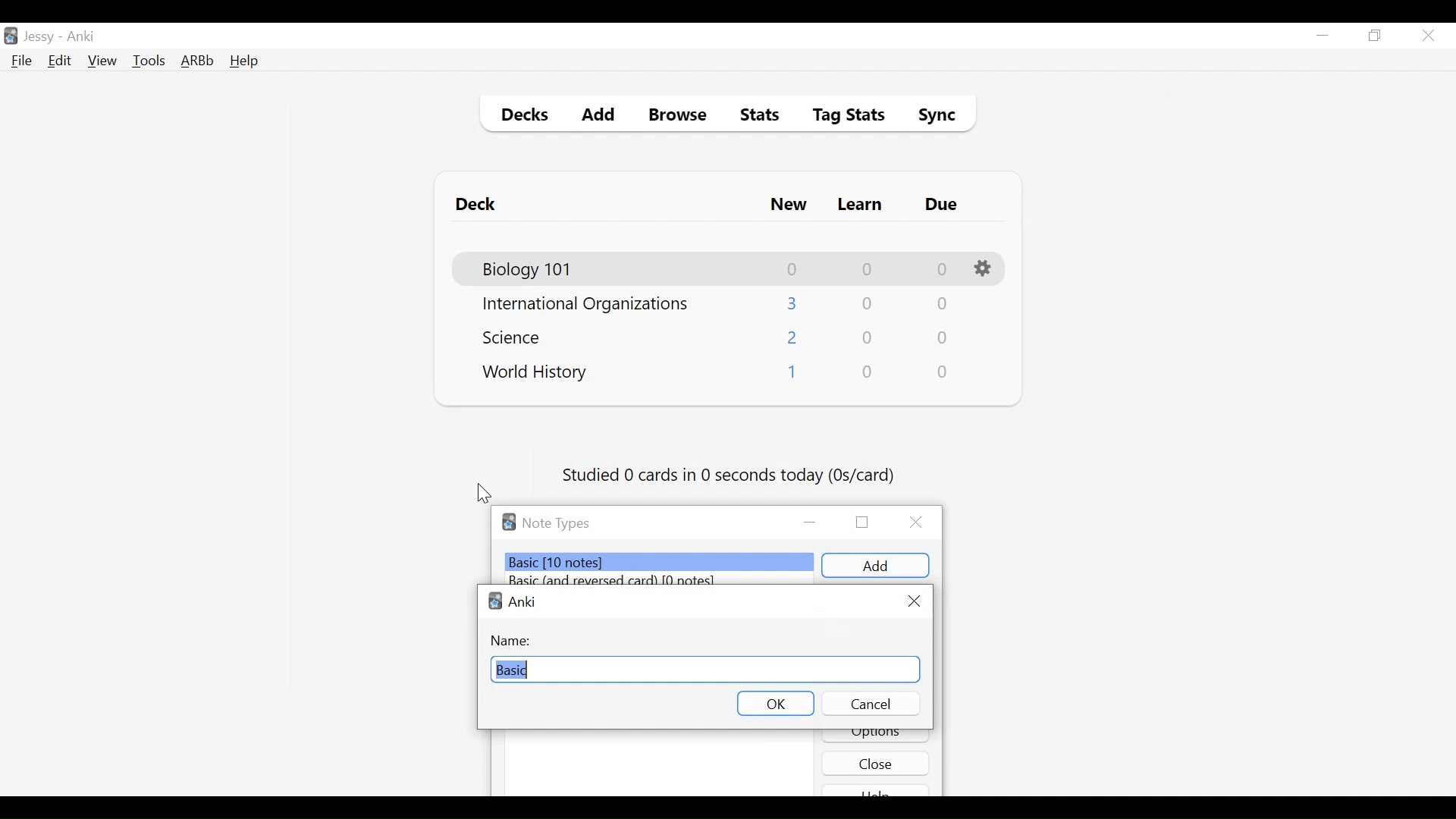 The height and width of the screenshot is (819, 1456). What do you see at coordinates (866, 269) in the screenshot?
I see `Learn Card Count` at bounding box center [866, 269].